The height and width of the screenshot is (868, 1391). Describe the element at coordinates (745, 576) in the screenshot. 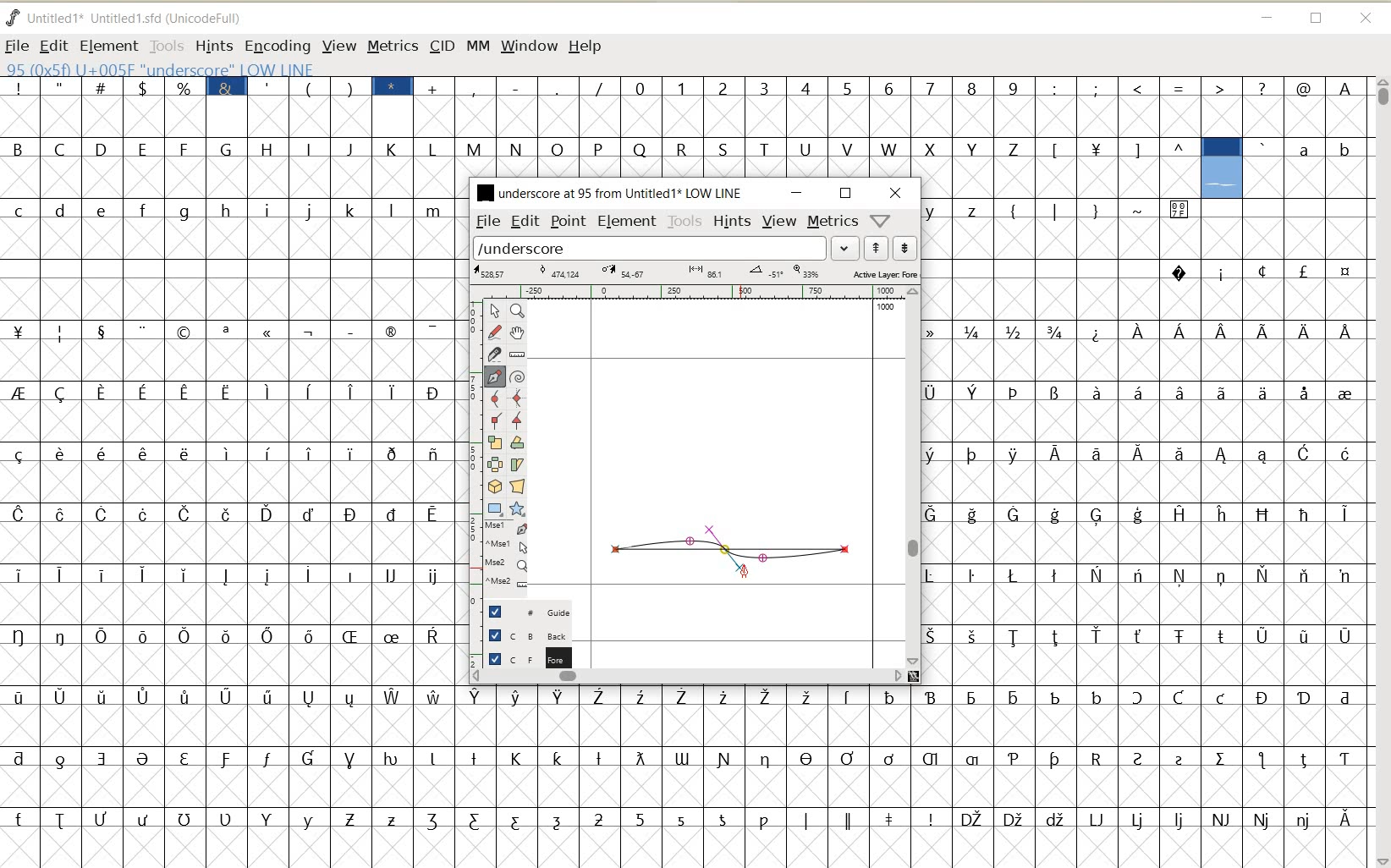

I see `CURSOR POSITION` at that location.